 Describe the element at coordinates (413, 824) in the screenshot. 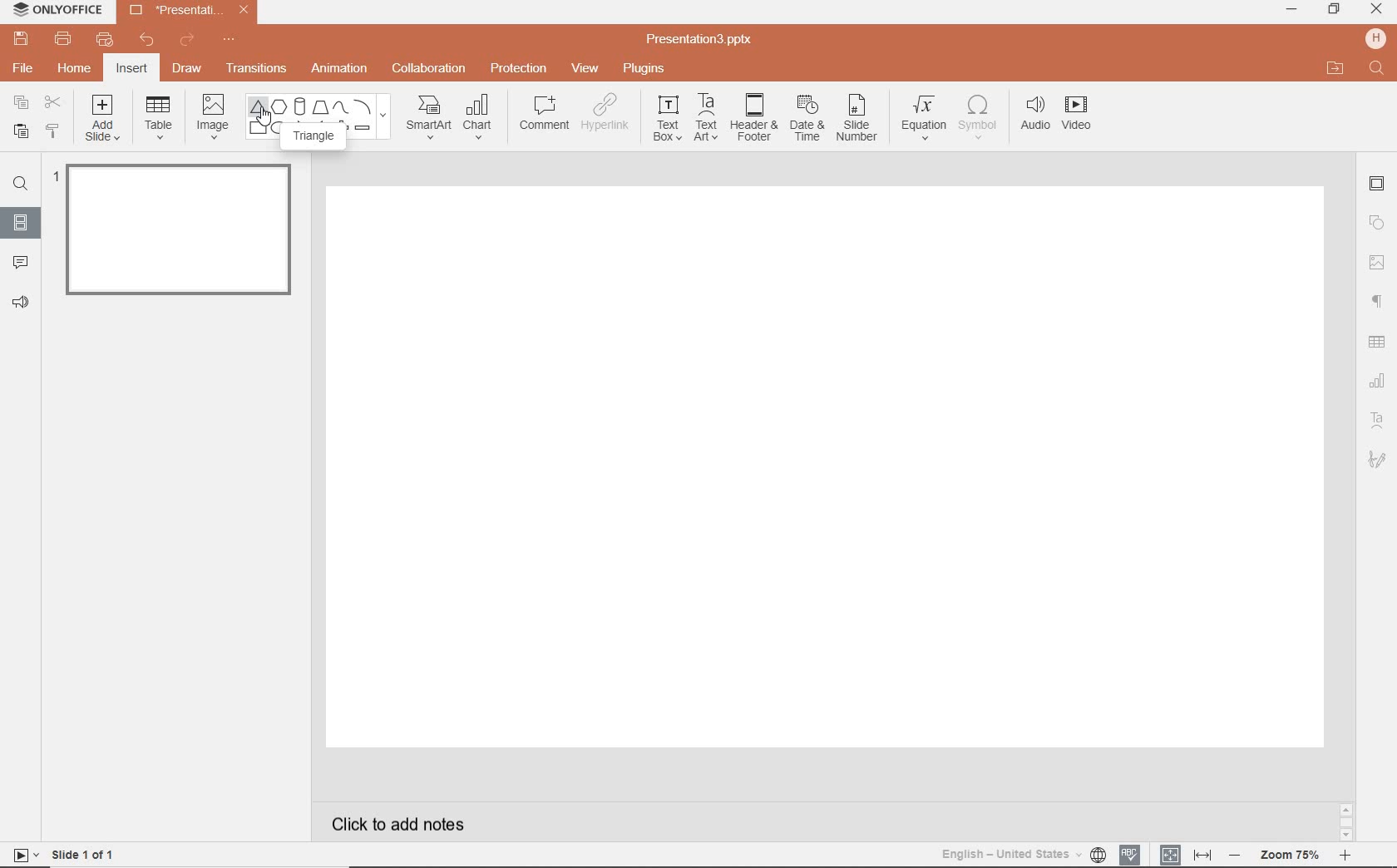

I see `CLICK TO ADD NOTES` at that location.